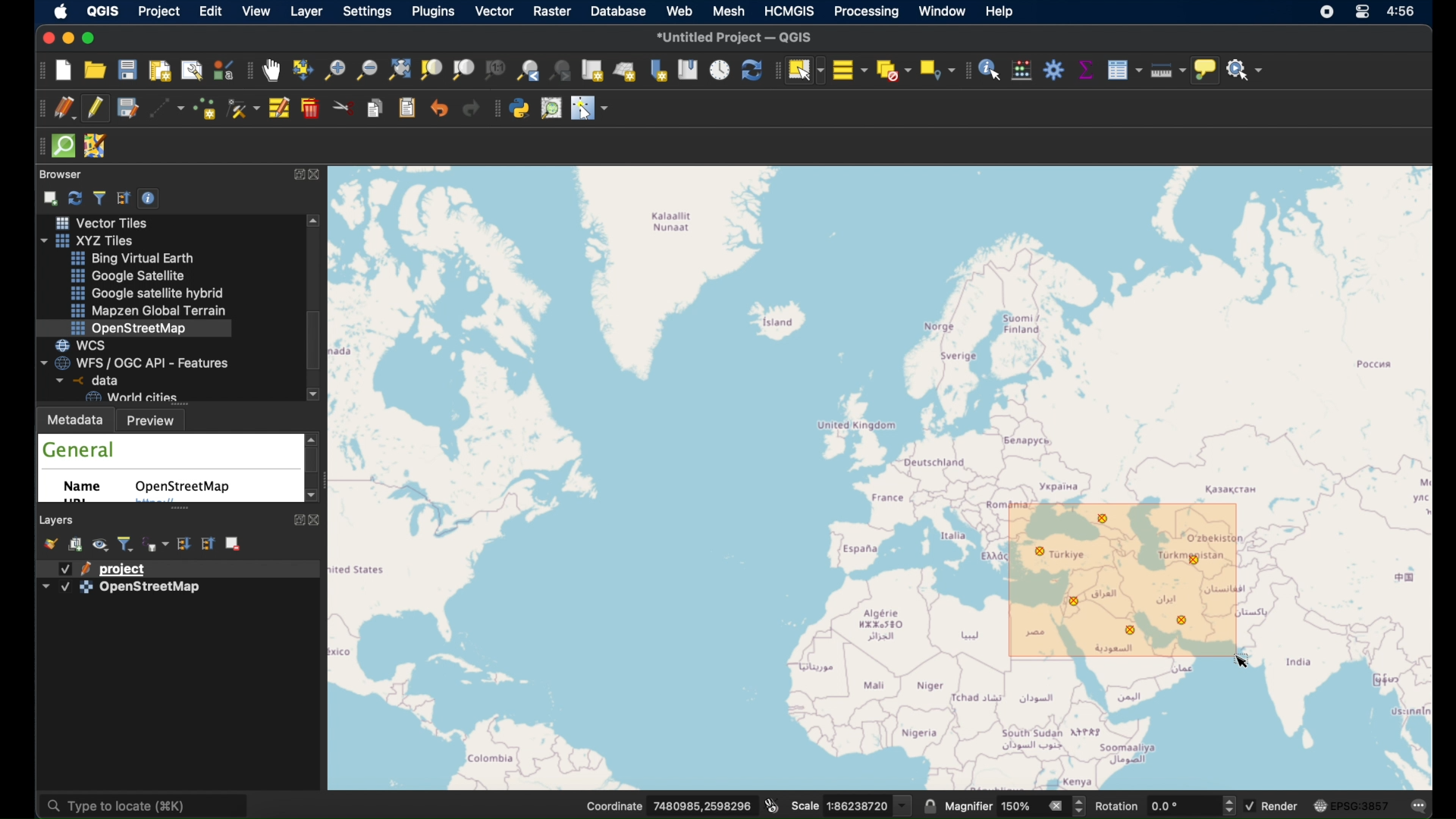  What do you see at coordinates (1168, 805) in the screenshot?
I see `rotation value` at bounding box center [1168, 805].